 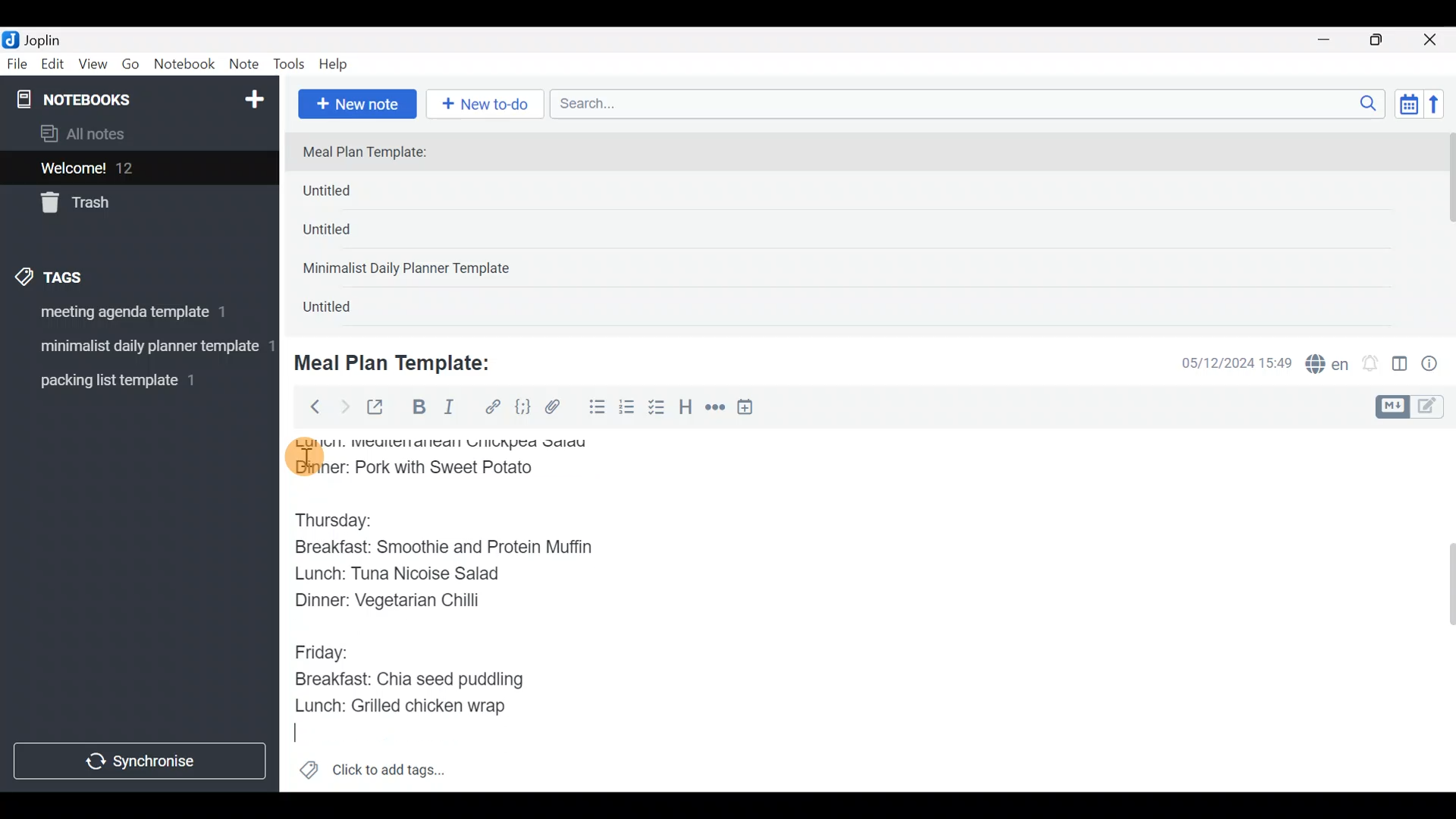 I want to click on Horizontal rule, so click(x=715, y=409).